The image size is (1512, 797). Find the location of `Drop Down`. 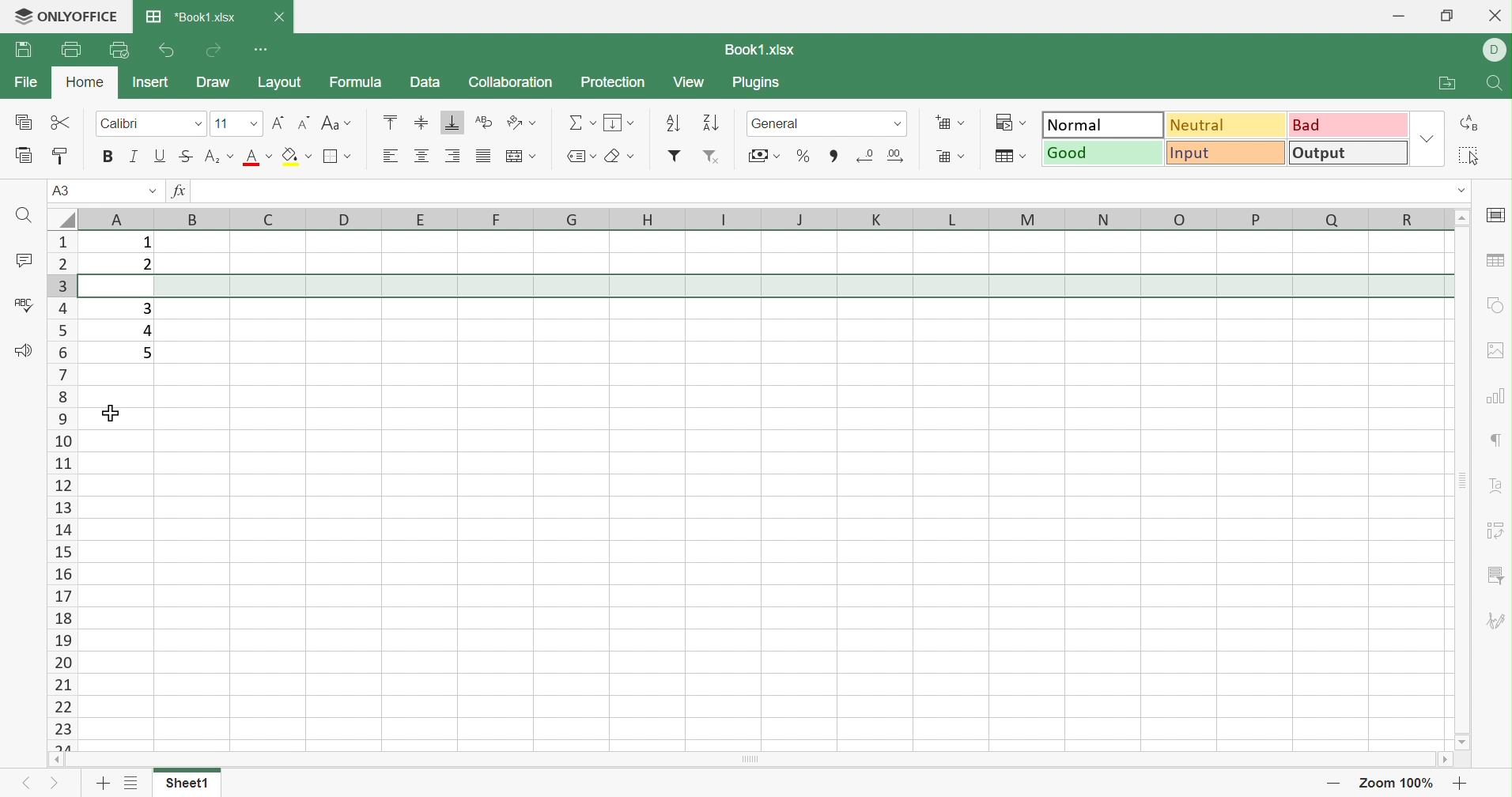

Drop Down is located at coordinates (309, 156).